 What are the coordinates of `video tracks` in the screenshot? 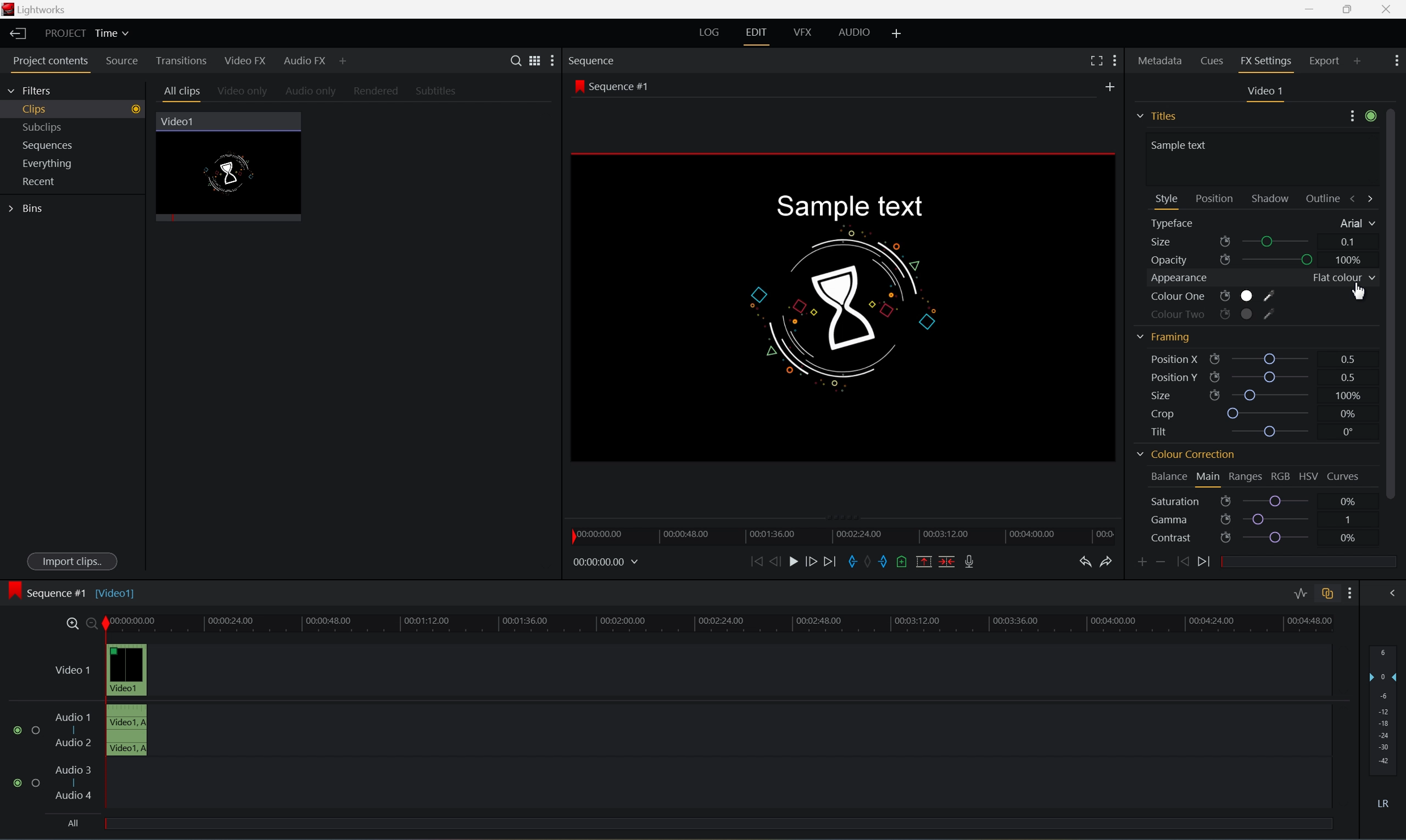 It's located at (127, 698).